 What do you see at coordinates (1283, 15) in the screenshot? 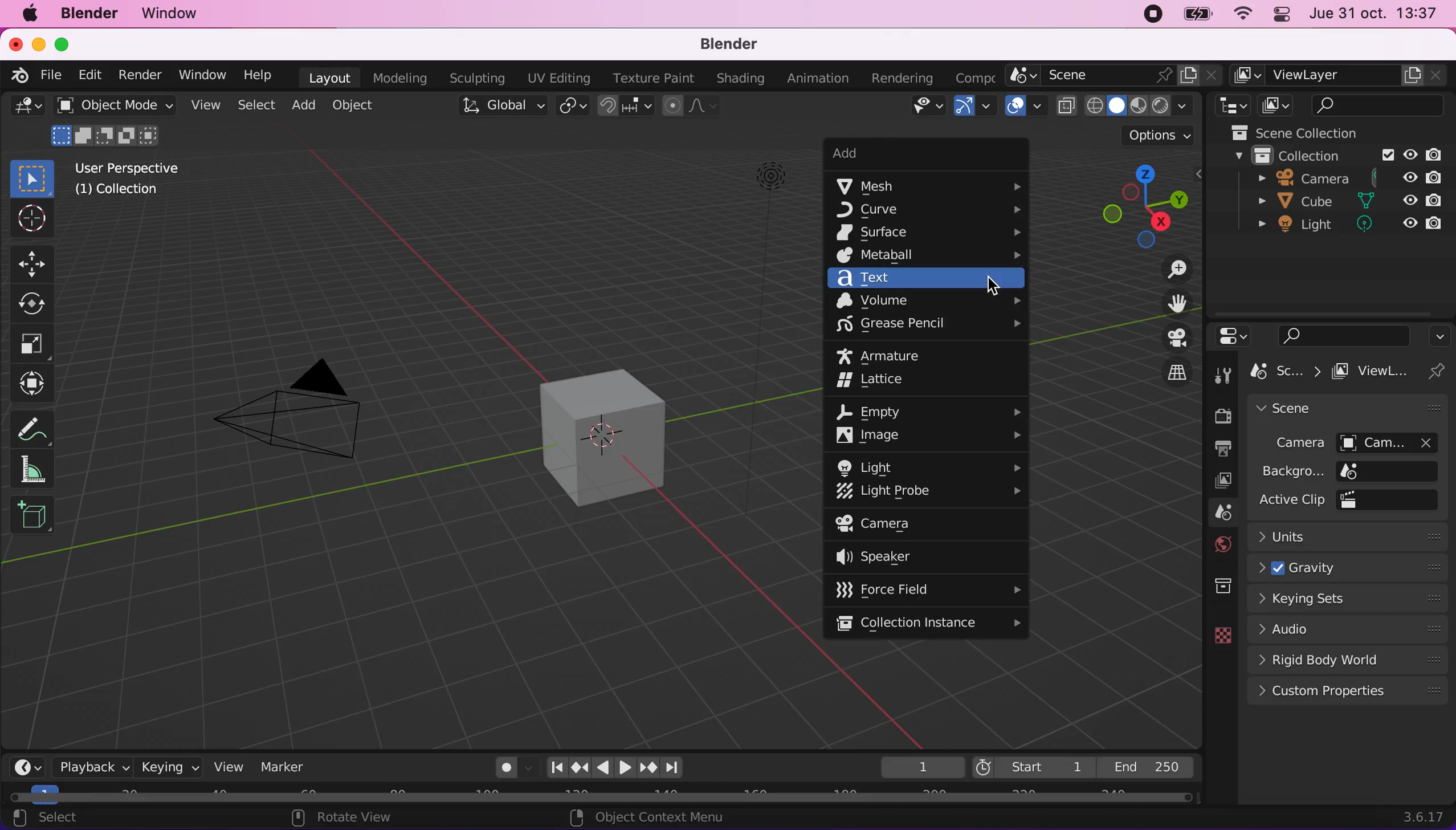
I see `panel control` at bounding box center [1283, 15].